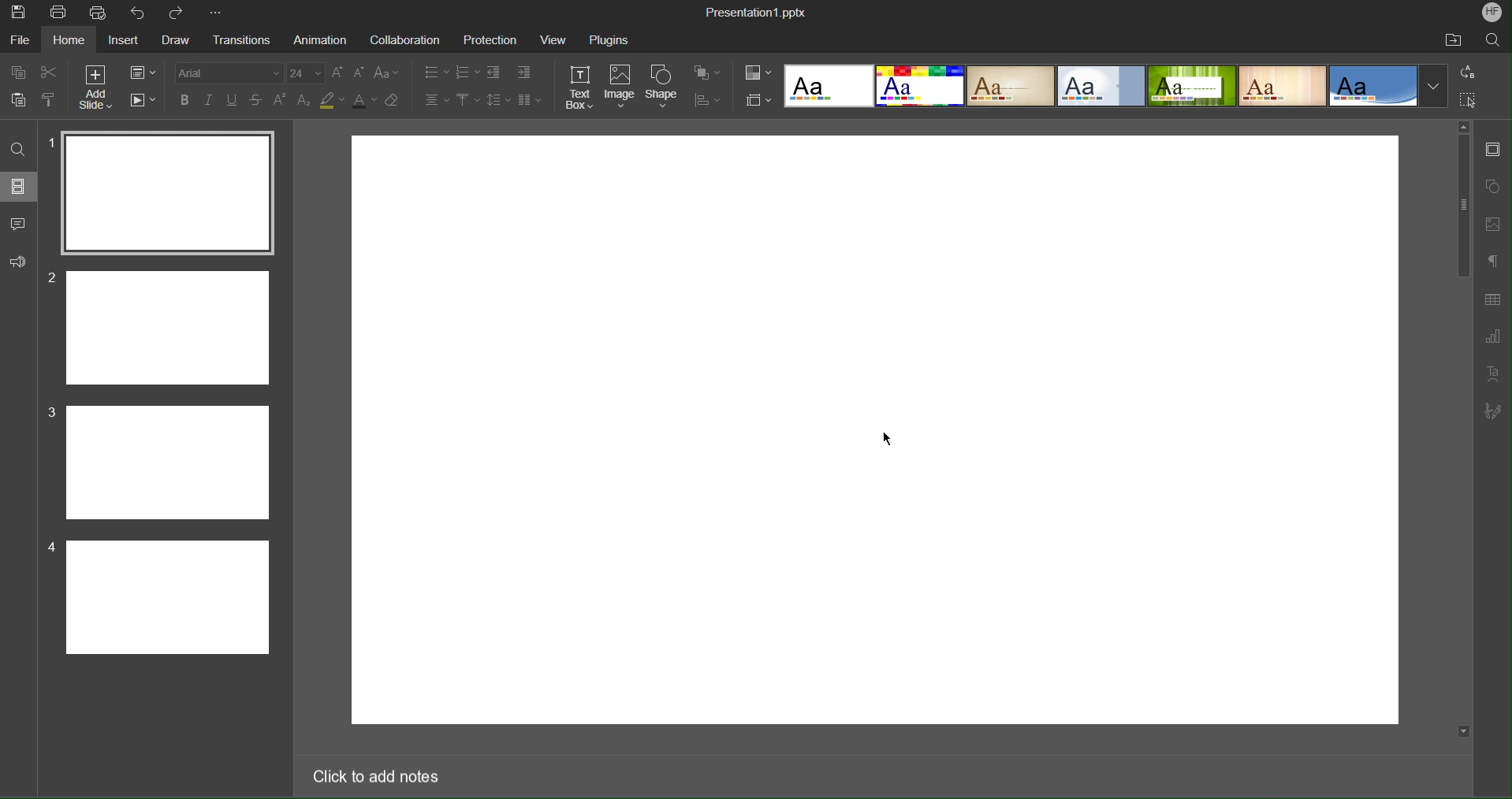  Describe the element at coordinates (1492, 299) in the screenshot. I see `Table Settings` at that location.